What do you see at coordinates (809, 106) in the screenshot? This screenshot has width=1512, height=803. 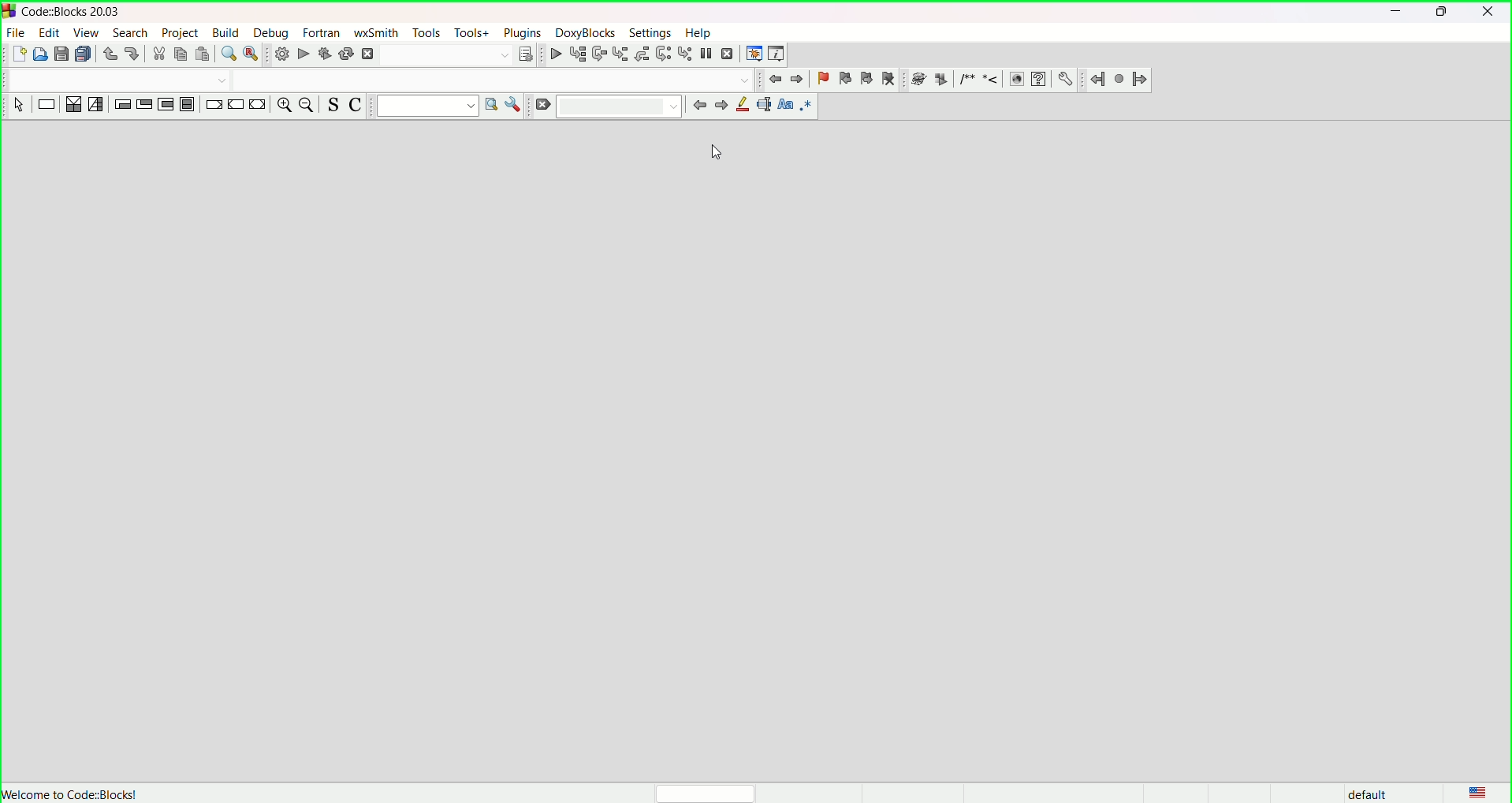 I see `use regex` at bounding box center [809, 106].